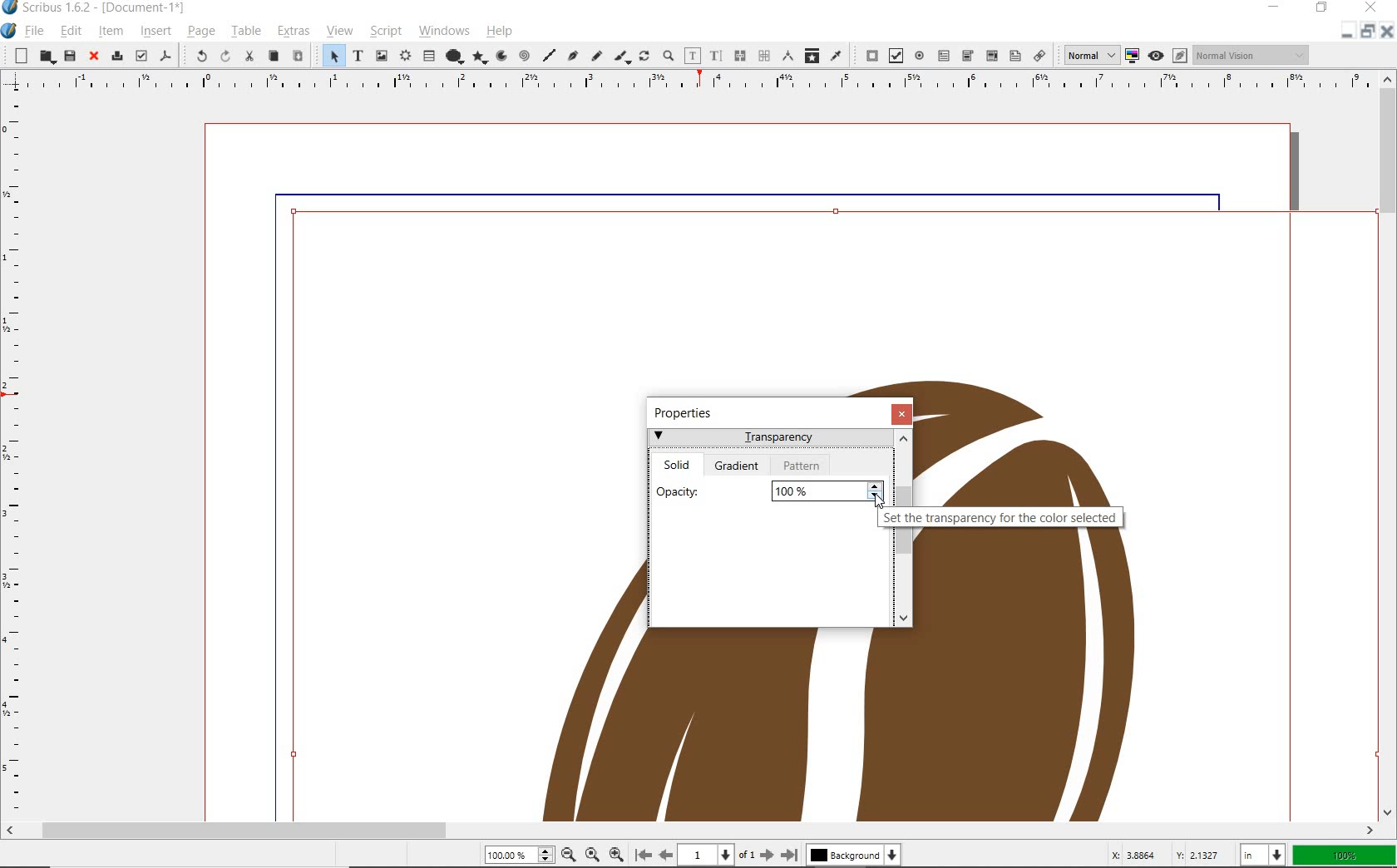  I want to click on new, so click(19, 56).